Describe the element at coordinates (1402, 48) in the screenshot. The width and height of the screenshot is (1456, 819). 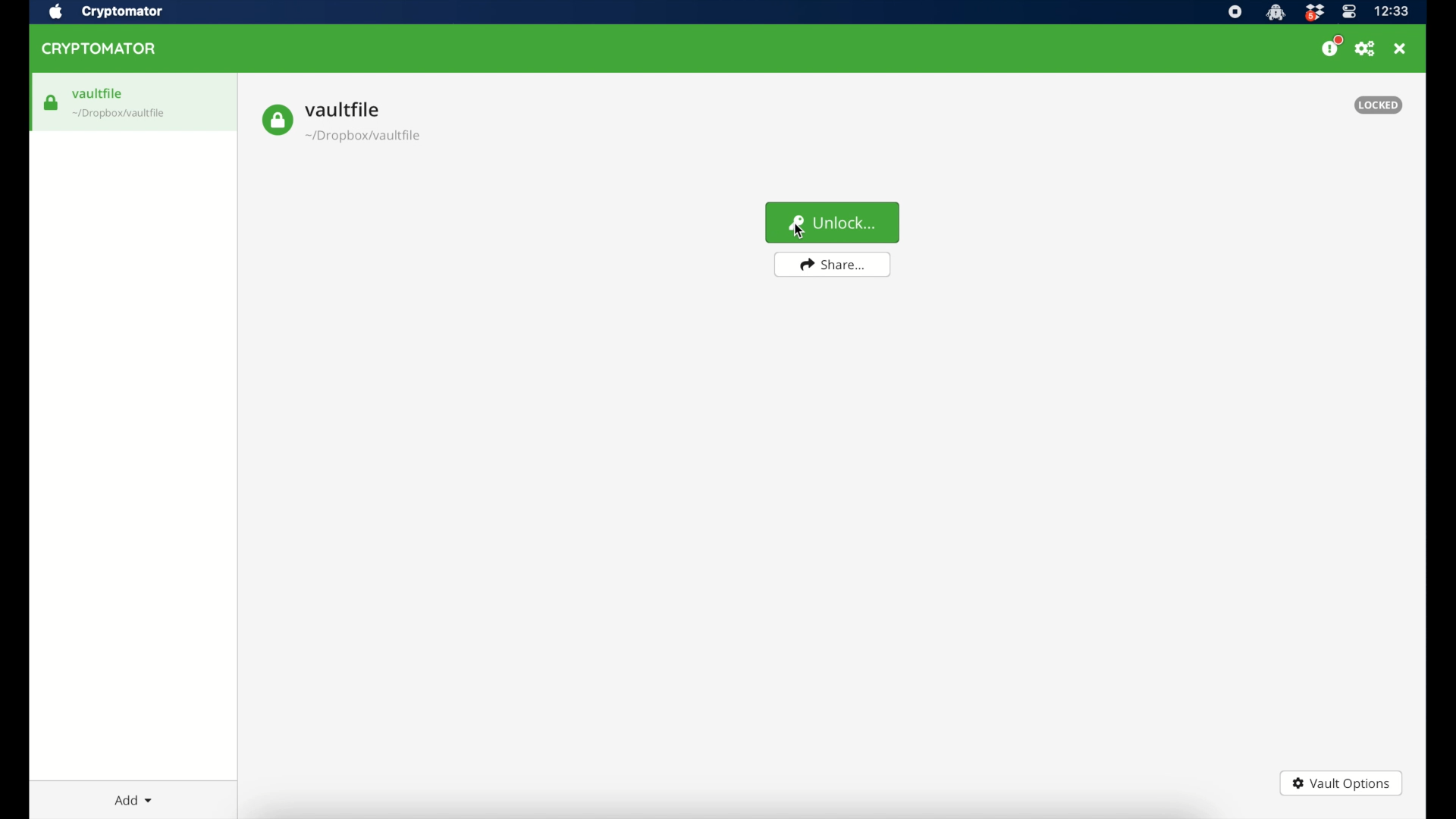
I see `close` at that location.